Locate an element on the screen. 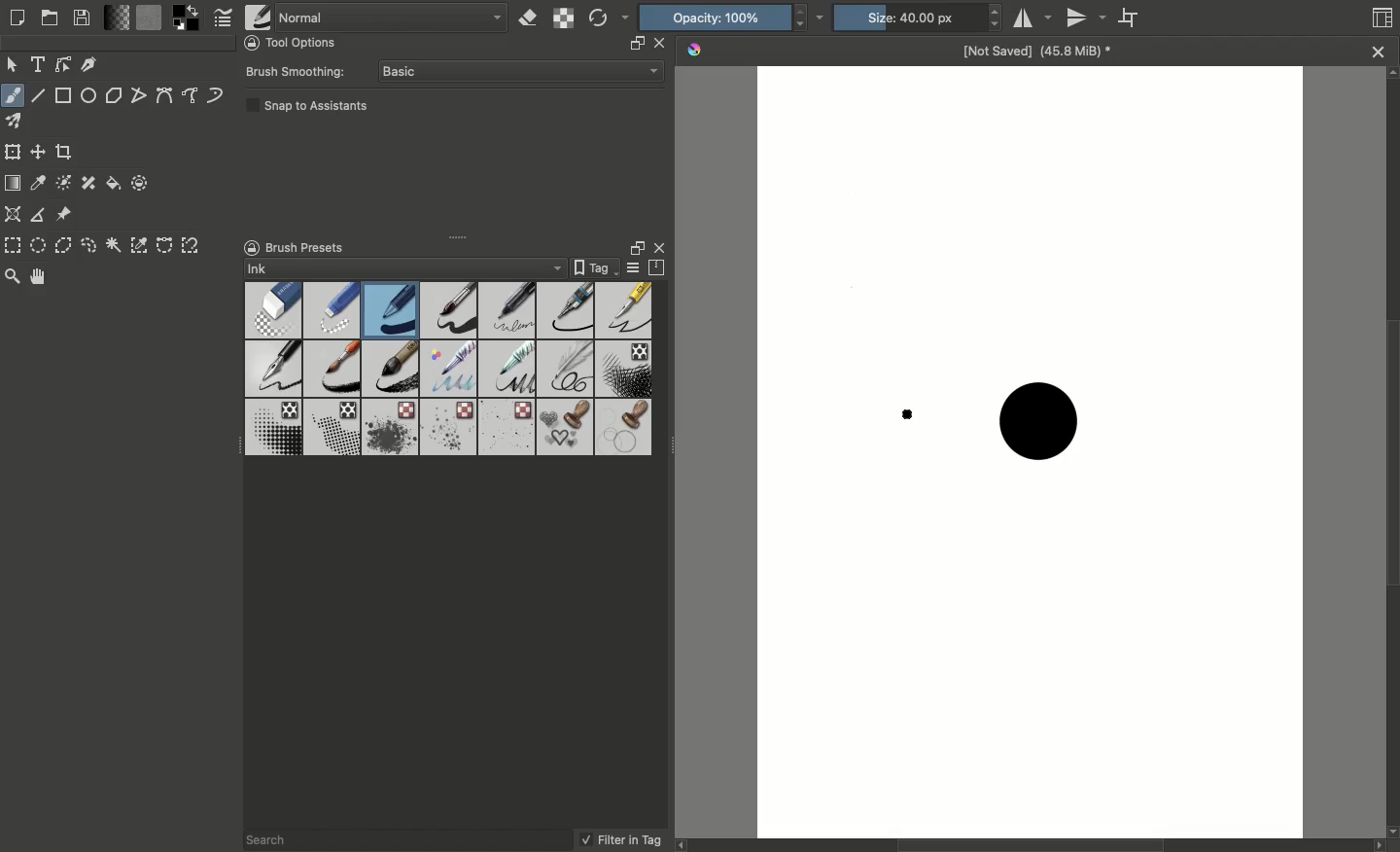 The image size is (1400, 852). Fill is located at coordinates (114, 183).